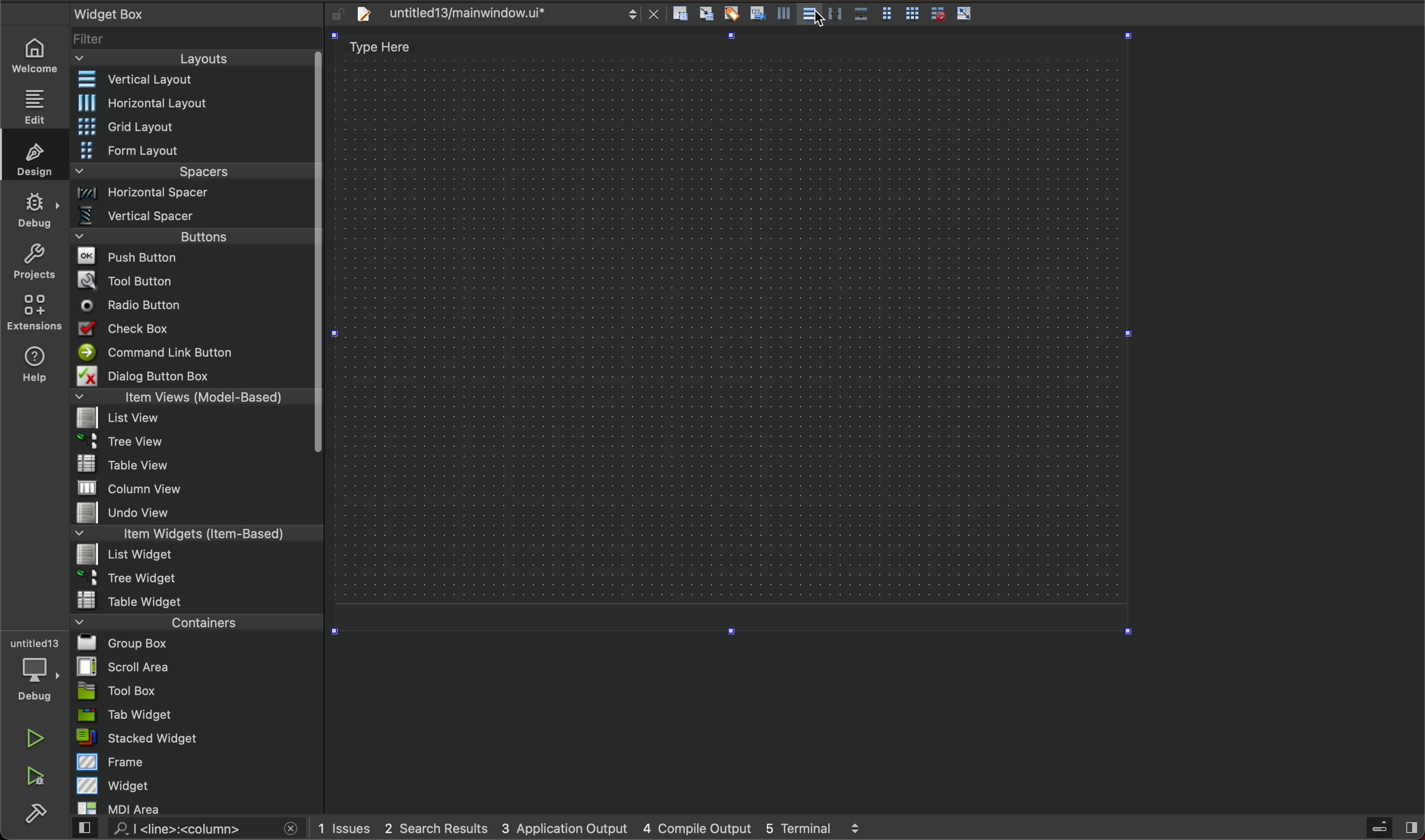 The image size is (1425, 840). What do you see at coordinates (33, 155) in the screenshot?
I see `design` at bounding box center [33, 155].